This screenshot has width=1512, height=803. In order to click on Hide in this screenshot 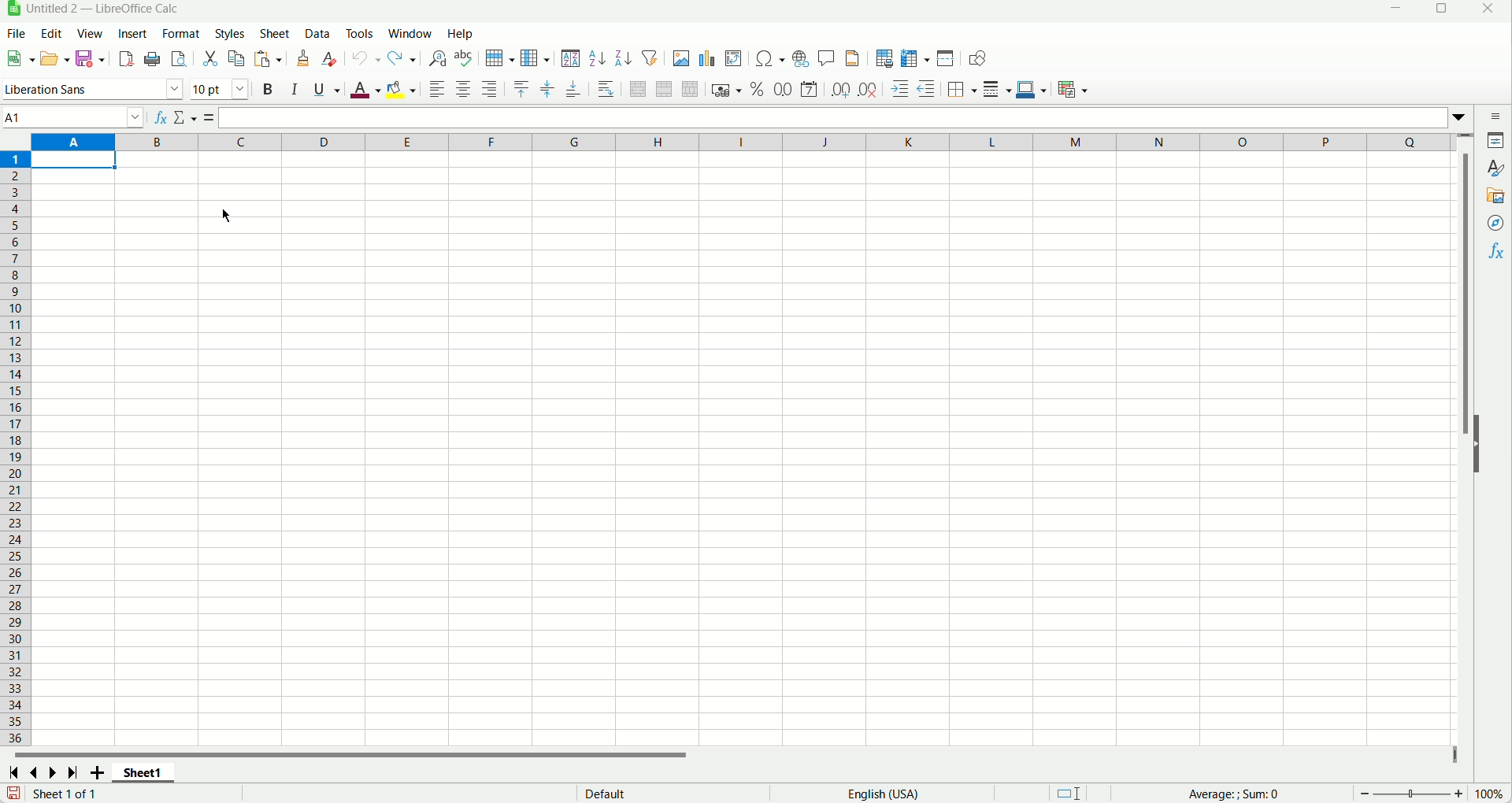, I will do `click(1483, 453)`.